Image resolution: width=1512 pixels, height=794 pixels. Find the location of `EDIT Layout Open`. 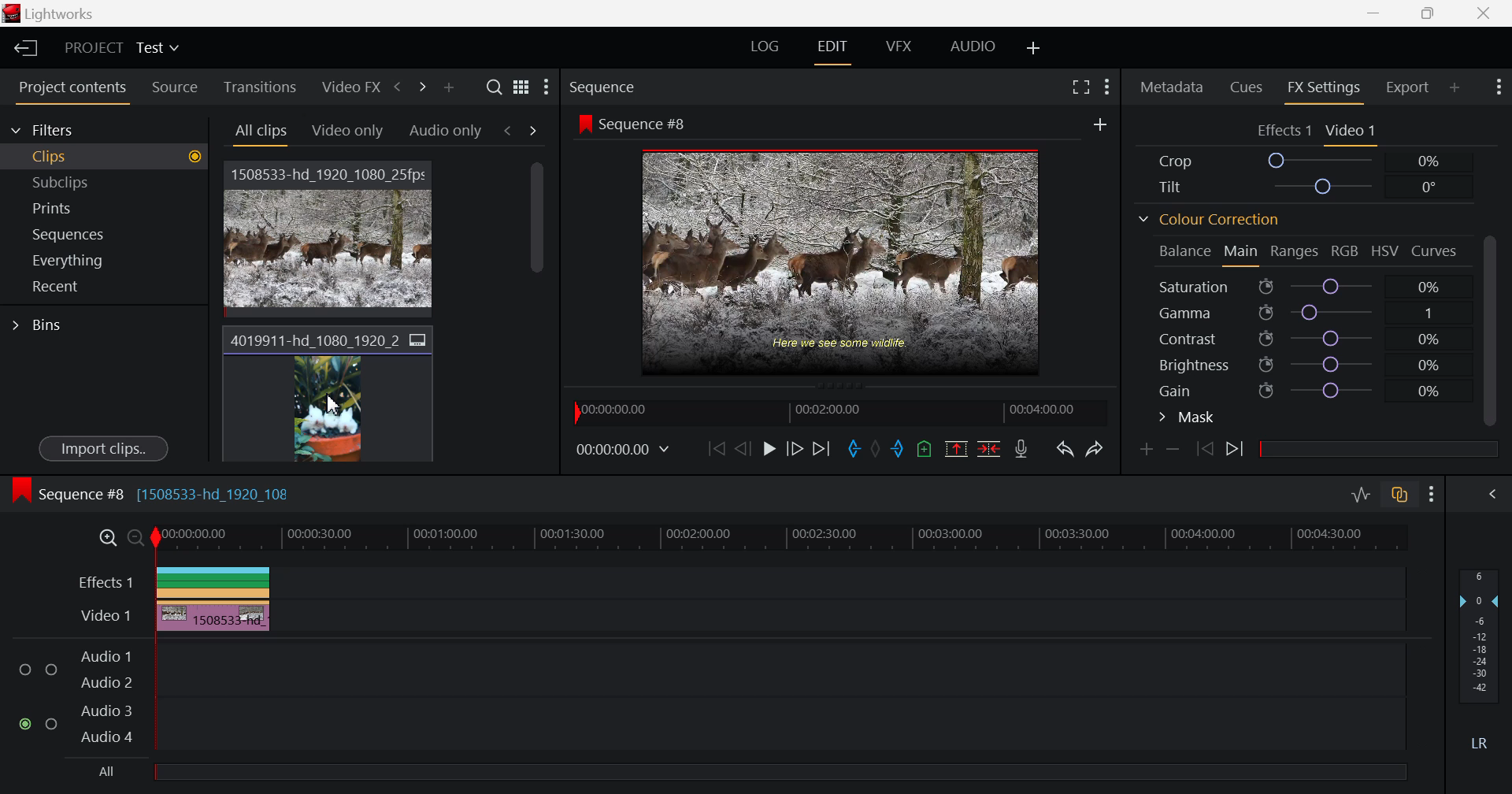

EDIT Layout Open is located at coordinates (833, 50).